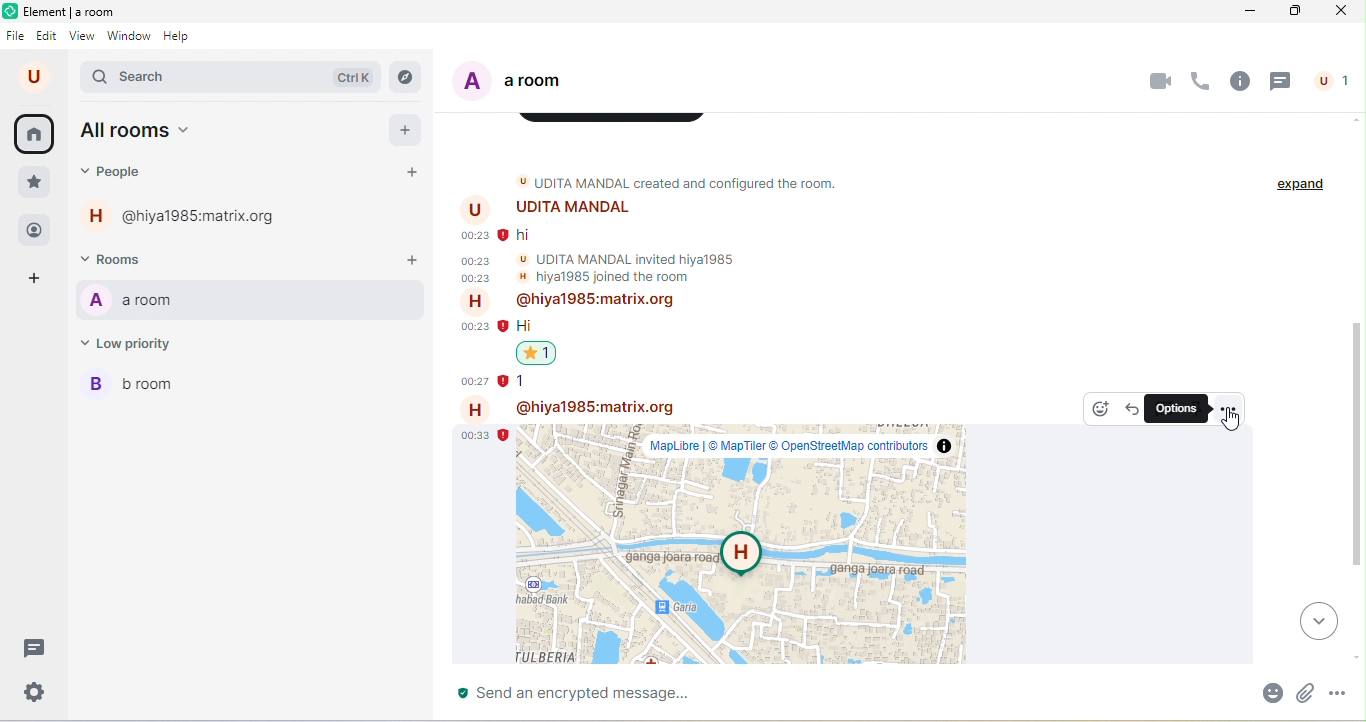  Describe the element at coordinates (81, 36) in the screenshot. I see `view` at that location.